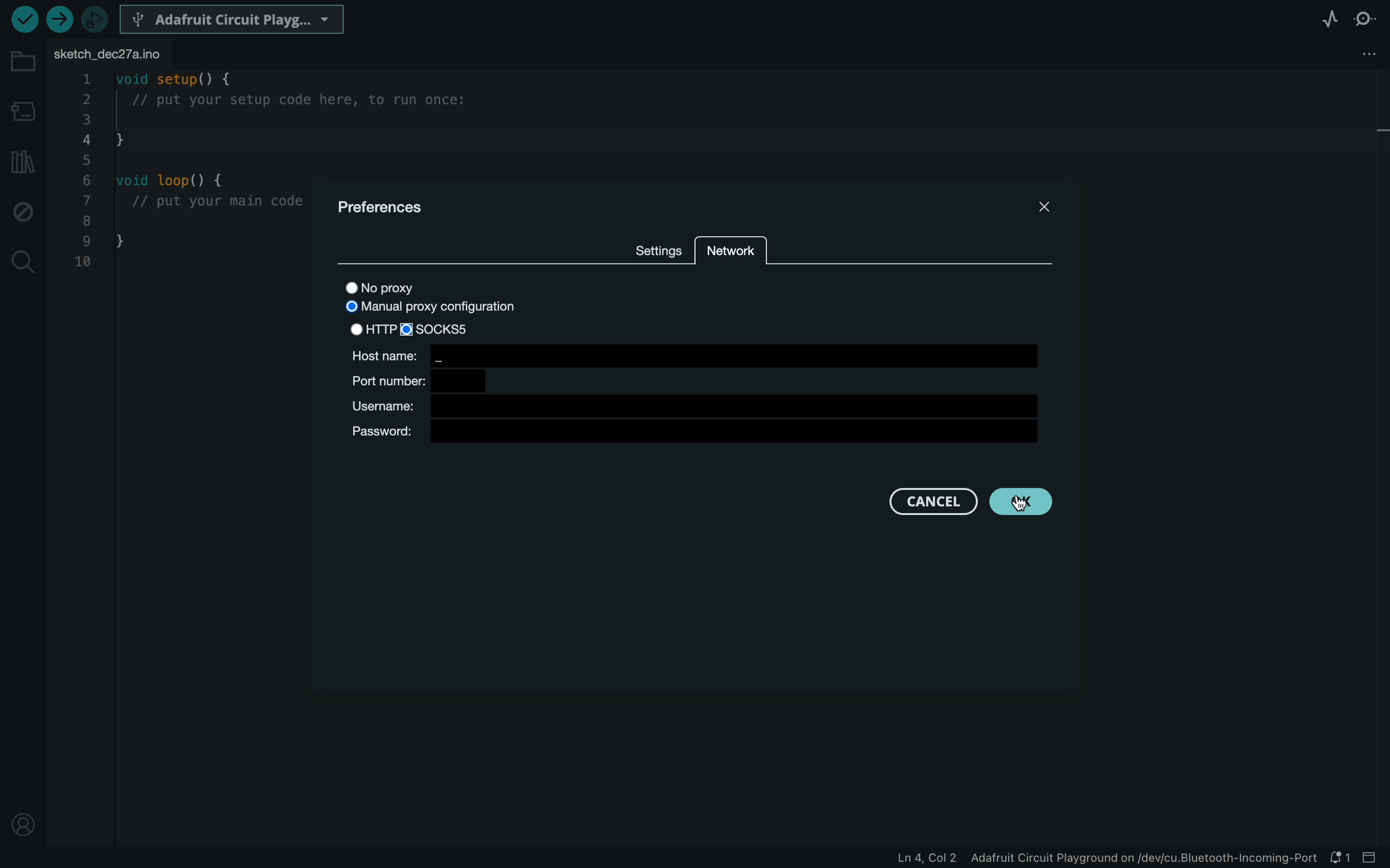 The width and height of the screenshot is (1390, 868). I want to click on prefernces, so click(391, 210).